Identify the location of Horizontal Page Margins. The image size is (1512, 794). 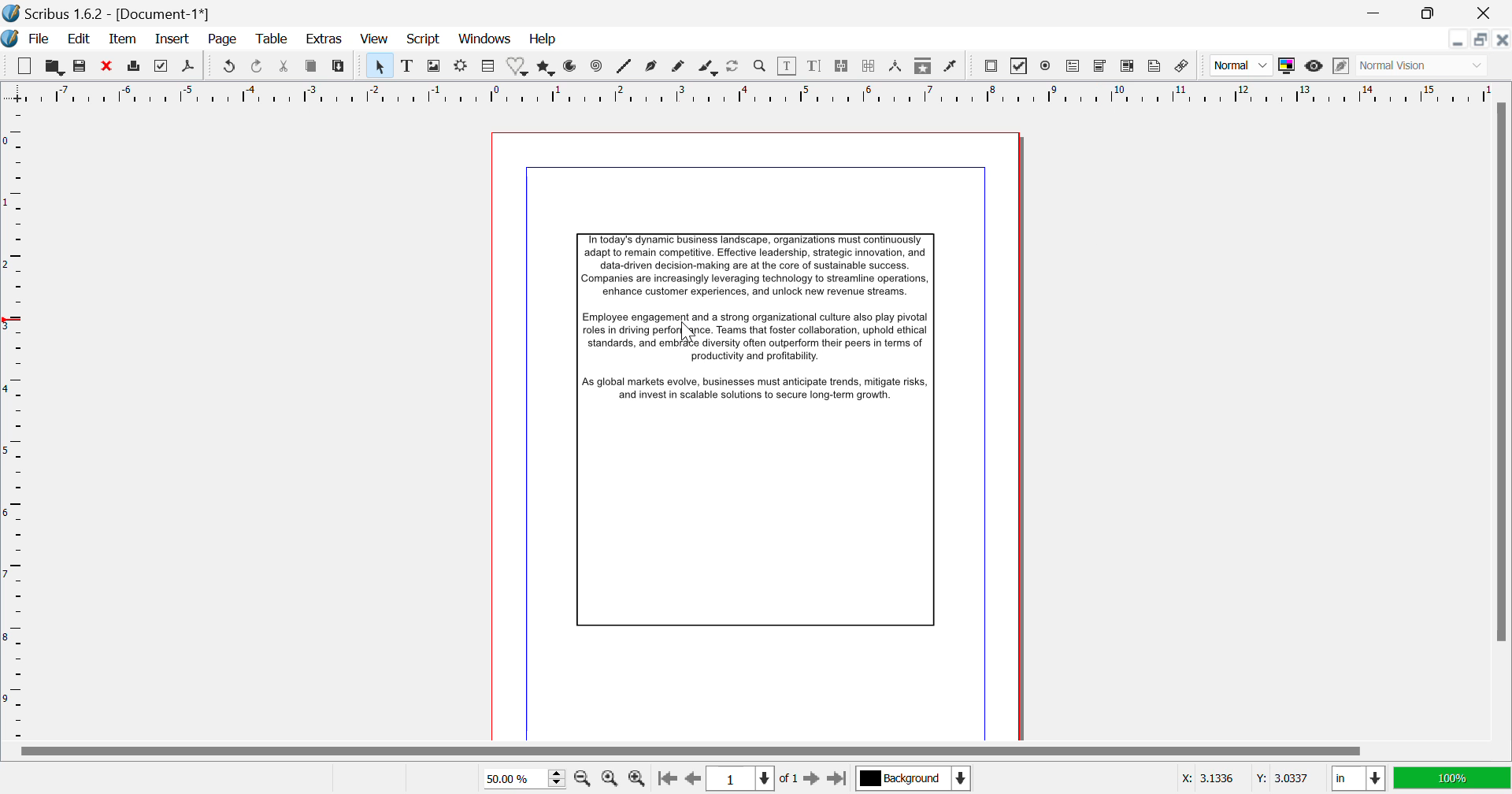
(17, 425).